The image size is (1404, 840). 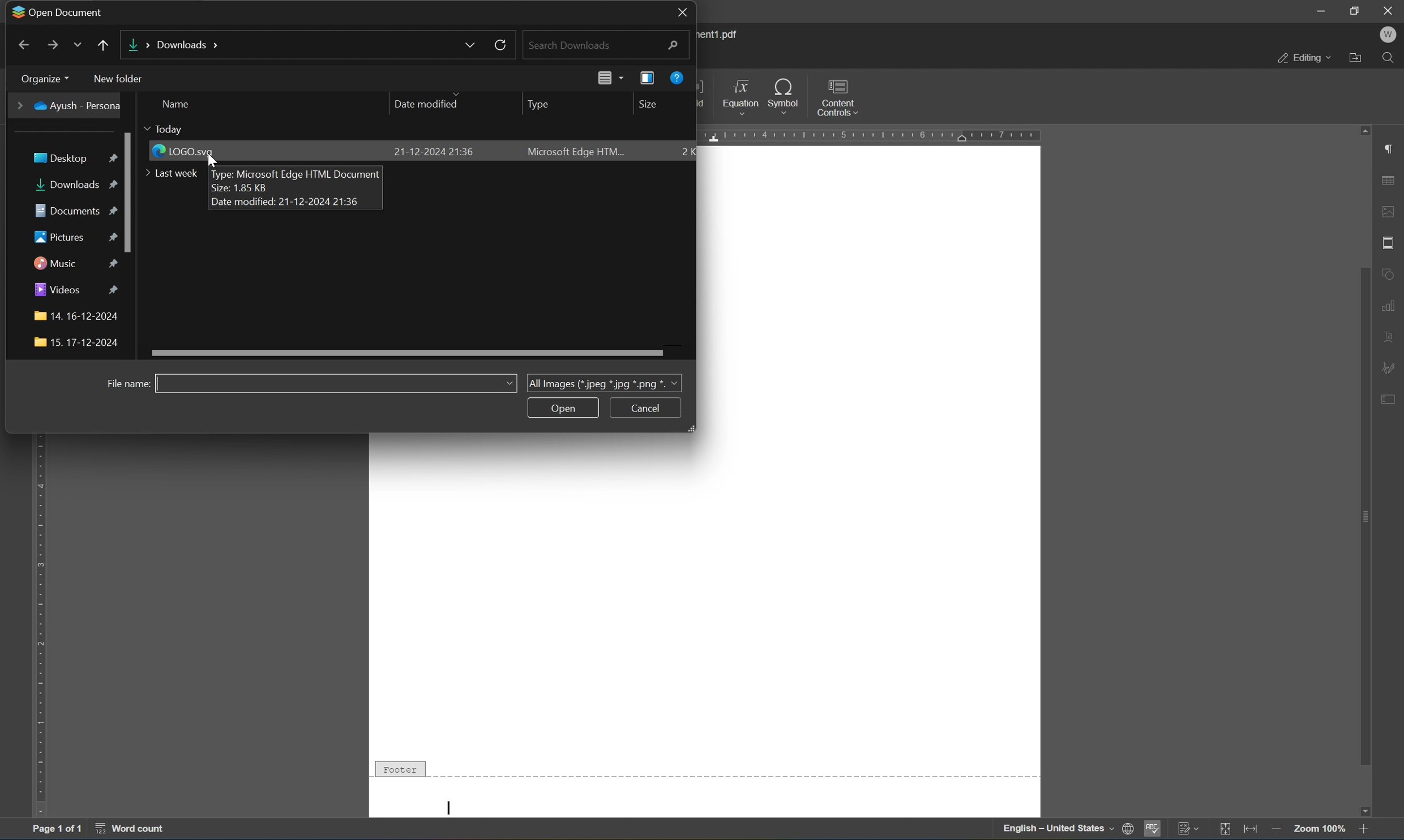 What do you see at coordinates (1393, 404) in the screenshot?
I see `form settings` at bounding box center [1393, 404].